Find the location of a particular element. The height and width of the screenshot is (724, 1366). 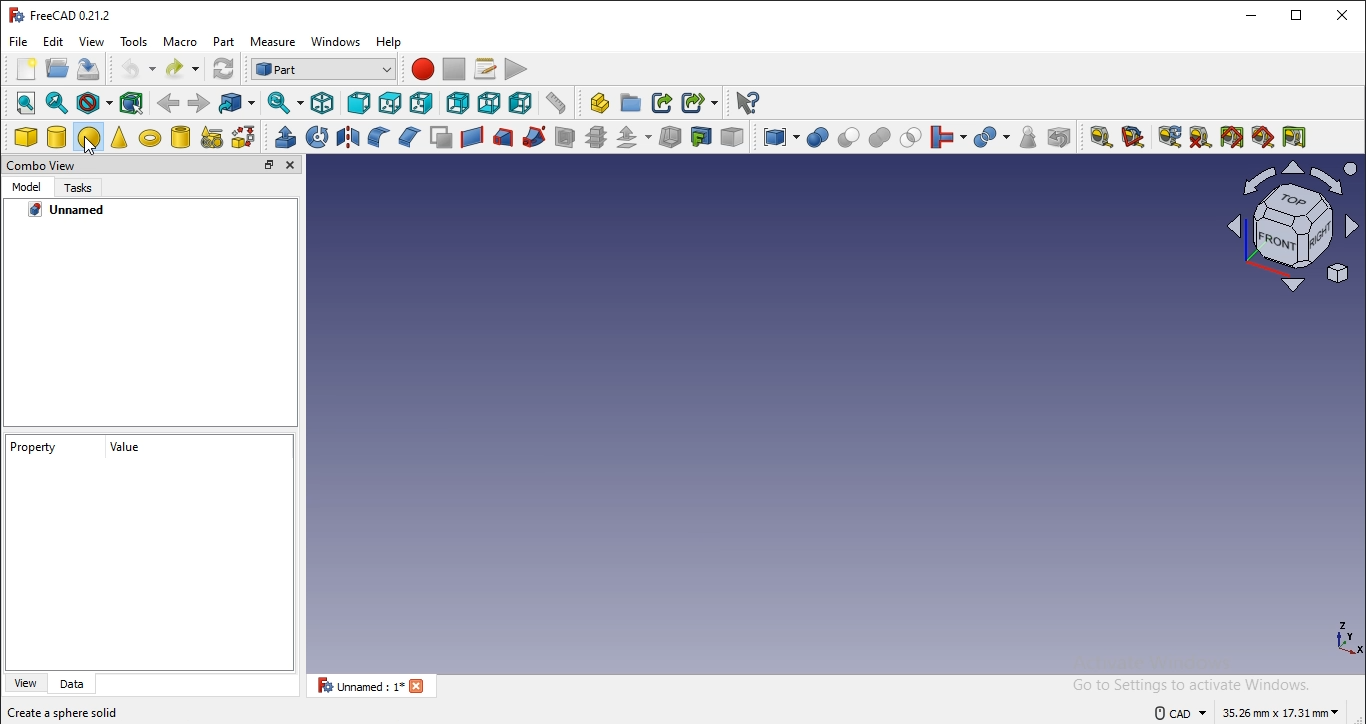

refresh is located at coordinates (1170, 136).